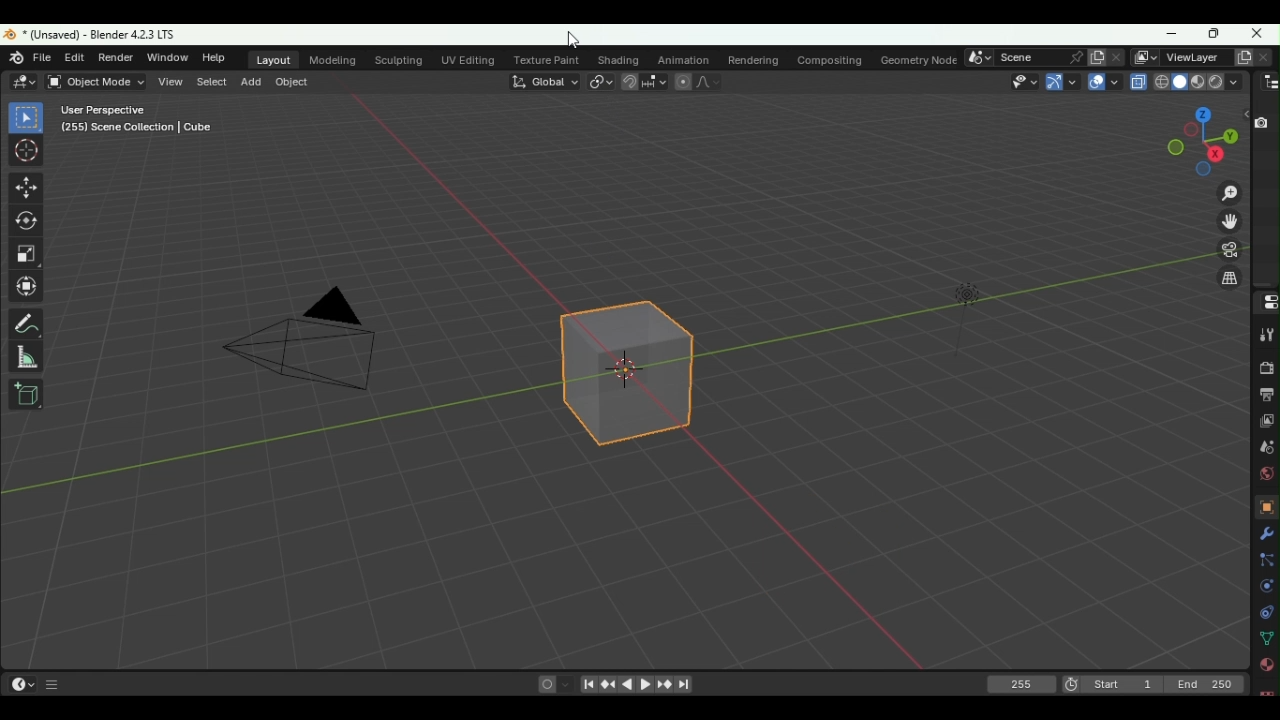 This screenshot has height=720, width=1280. What do you see at coordinates (1240, 57) in the screenshot?
I see `Add view layer` at bounding box center [1240, 57].